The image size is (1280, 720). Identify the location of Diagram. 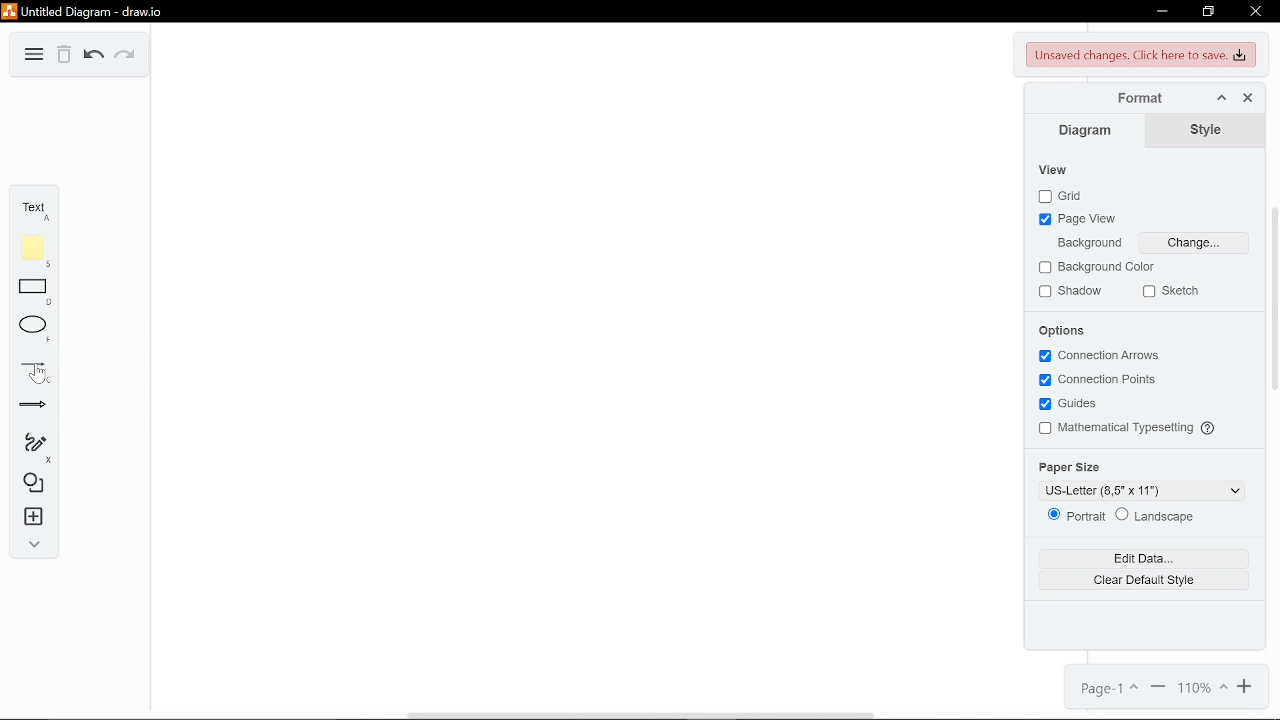
(34, 55).